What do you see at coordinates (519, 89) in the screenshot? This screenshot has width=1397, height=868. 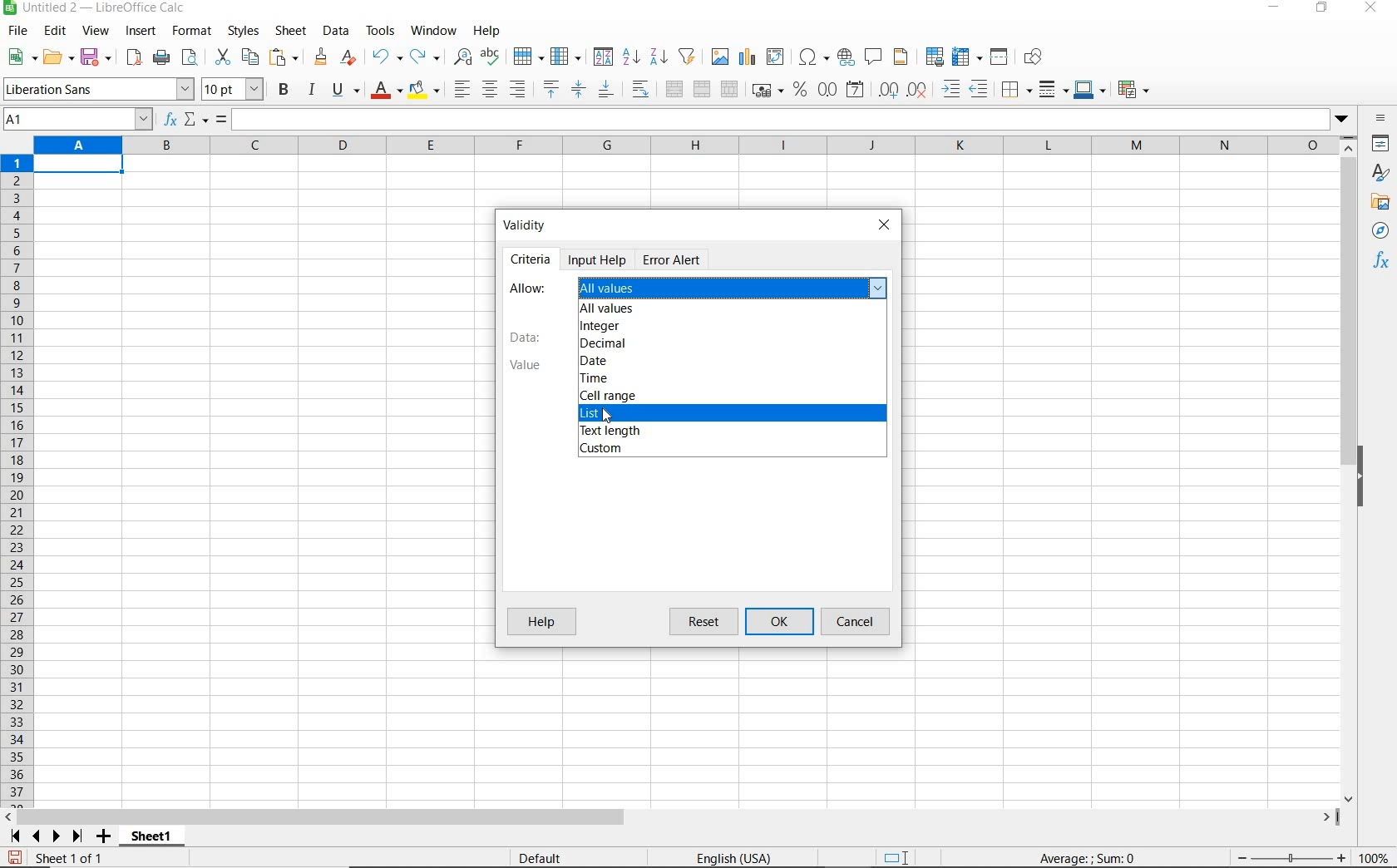 I see `align right` at bounding box center [519, 89].